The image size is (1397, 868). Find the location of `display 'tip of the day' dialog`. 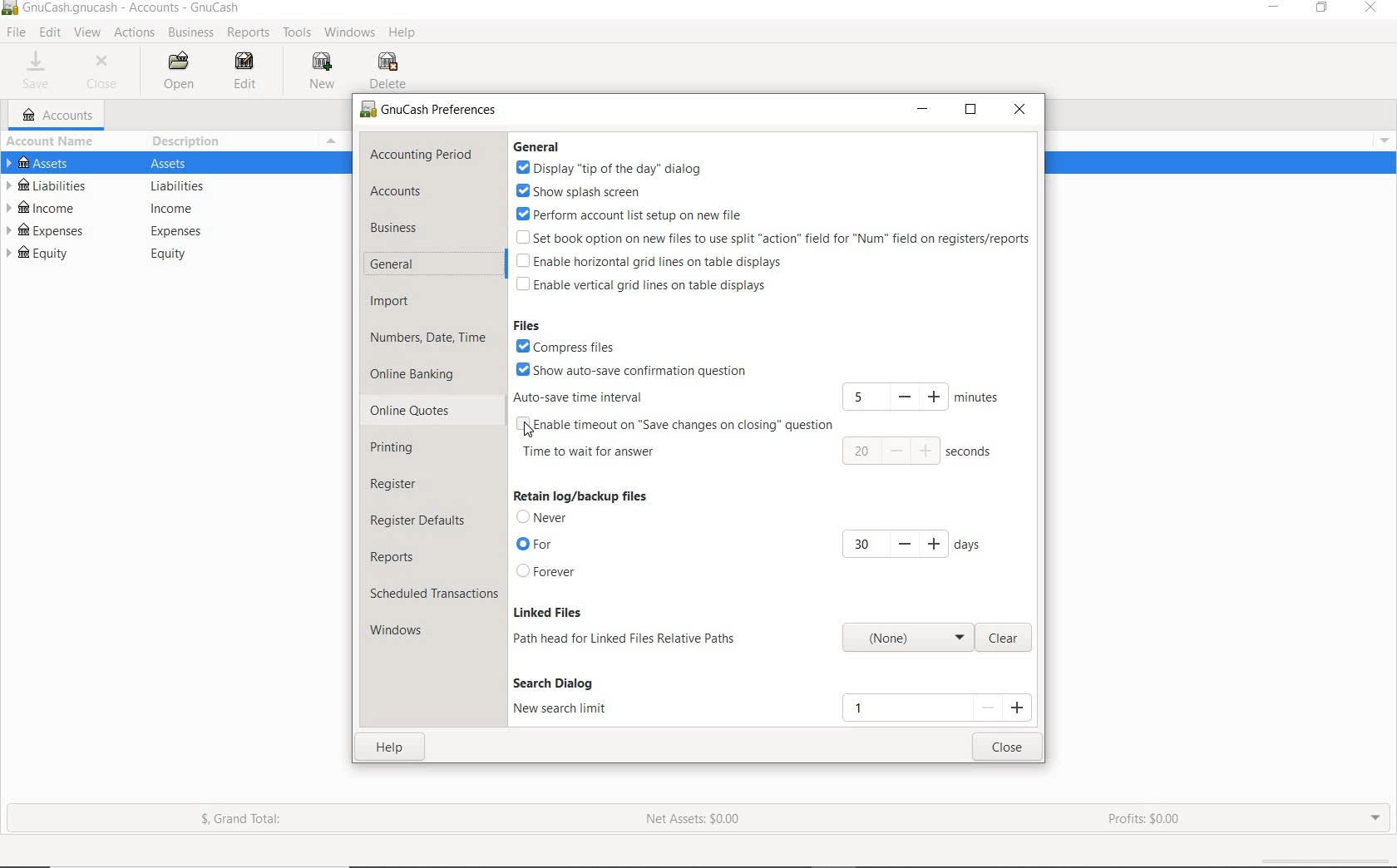

display 'tip of the day' dialog is located at coordinates (609, 169).